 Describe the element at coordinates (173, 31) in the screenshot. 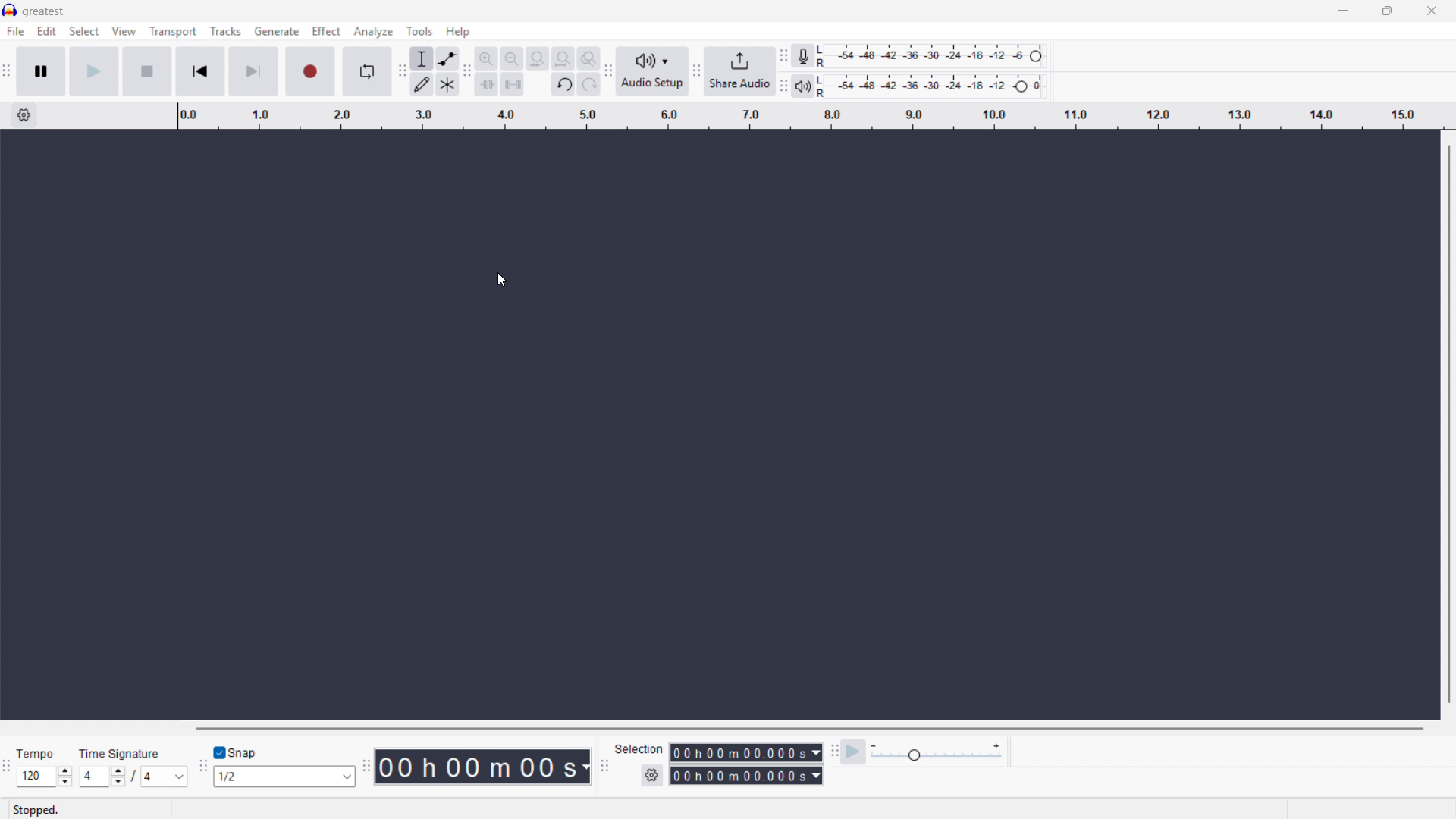

I see `Transport ` at that location.